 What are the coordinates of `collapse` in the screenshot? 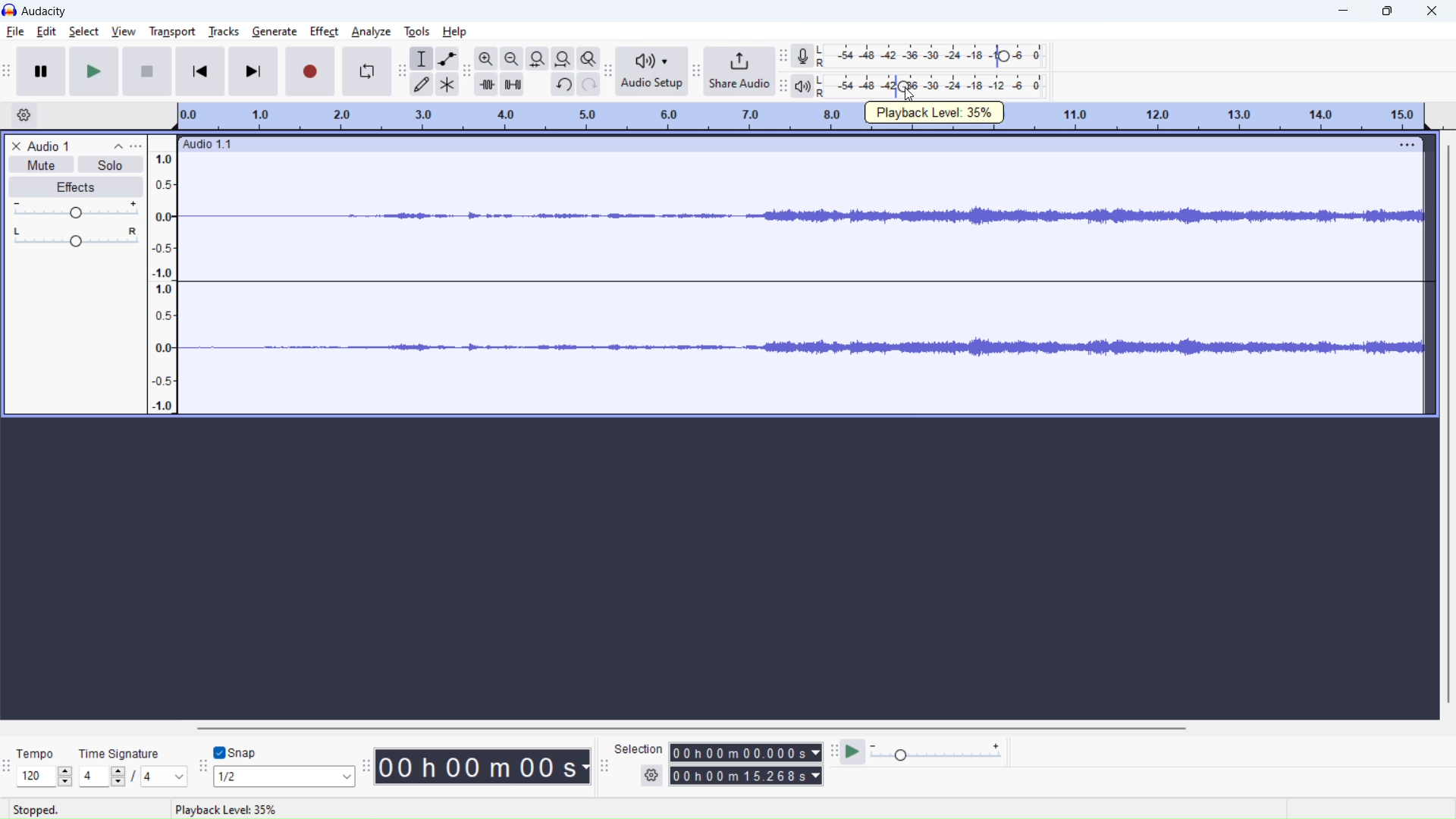 It's located at (118, 146).